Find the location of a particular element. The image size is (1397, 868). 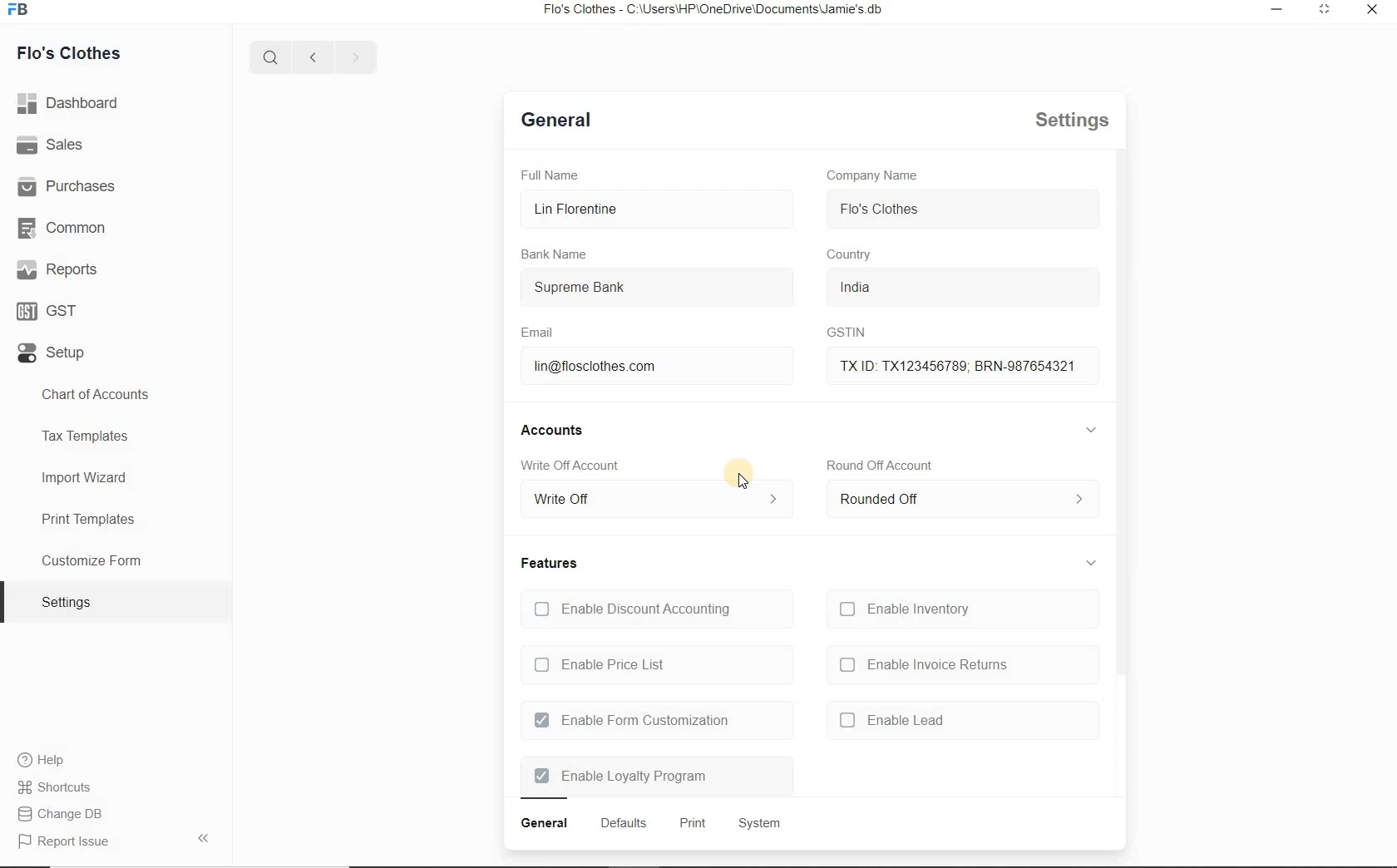

Sales is located at coordinates (50, 144).